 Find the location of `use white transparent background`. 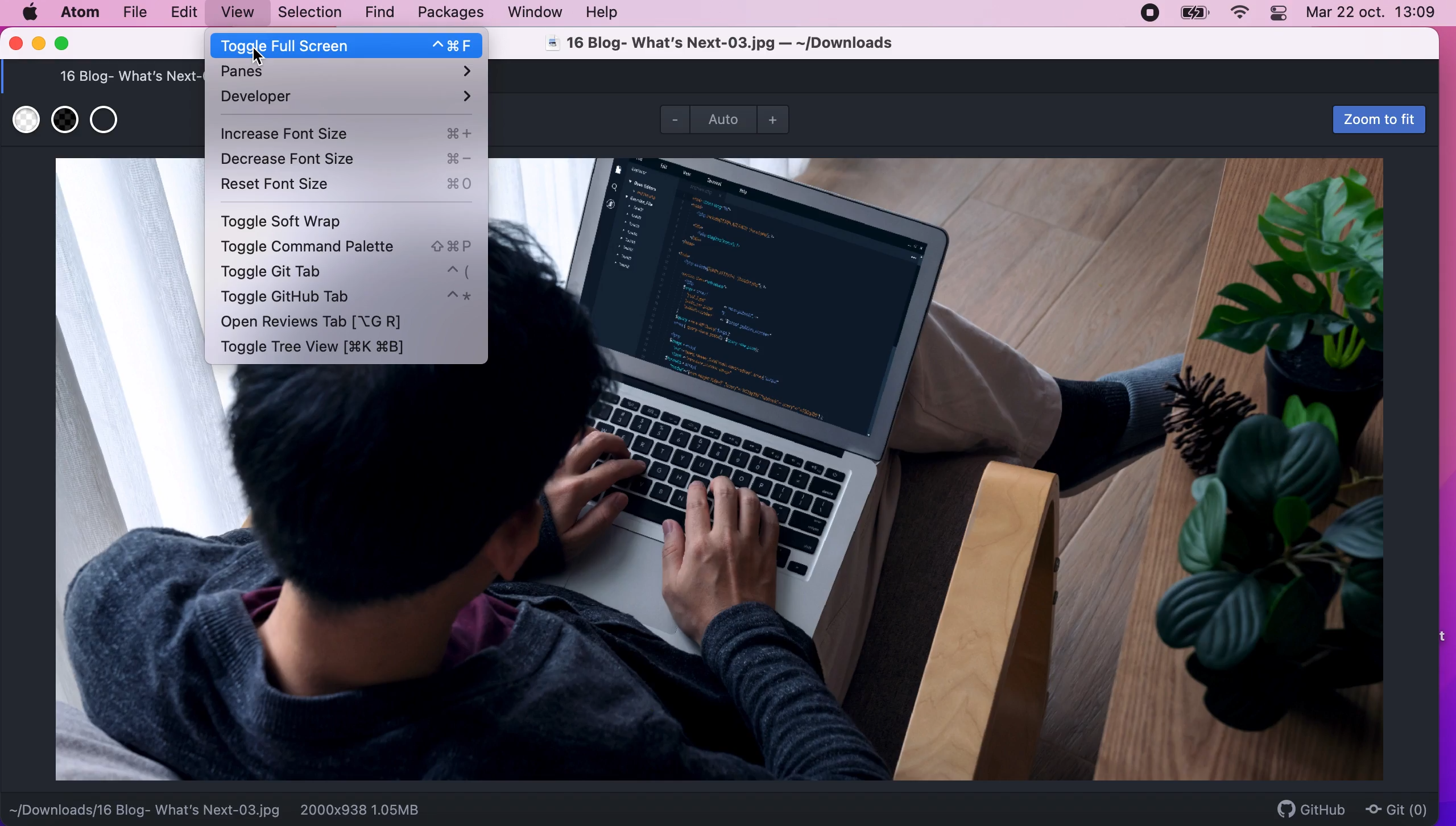

use white transparent background is located at coordinates (23, 117).